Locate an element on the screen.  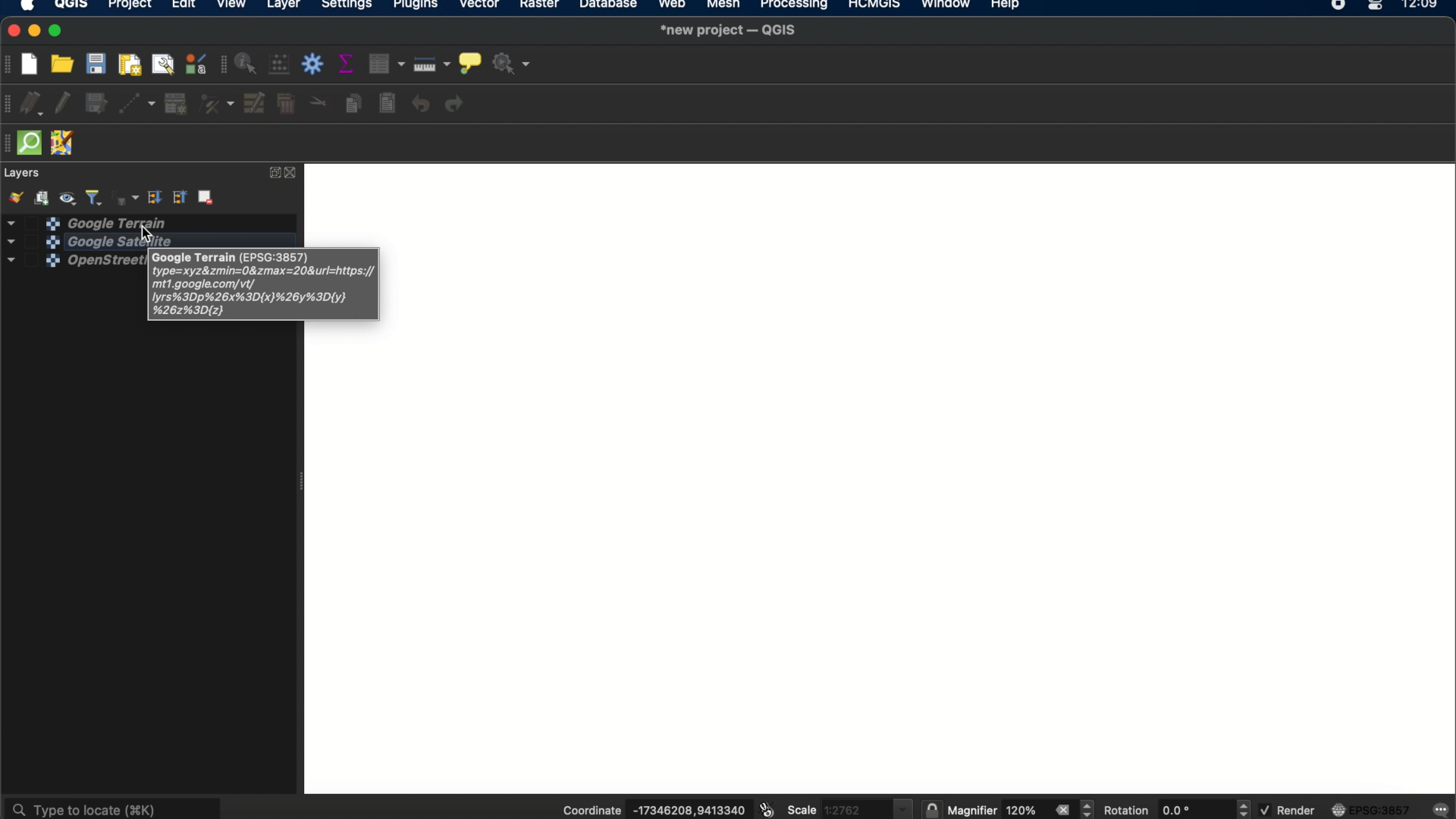
show map tips is located at coordinates (469, 61).